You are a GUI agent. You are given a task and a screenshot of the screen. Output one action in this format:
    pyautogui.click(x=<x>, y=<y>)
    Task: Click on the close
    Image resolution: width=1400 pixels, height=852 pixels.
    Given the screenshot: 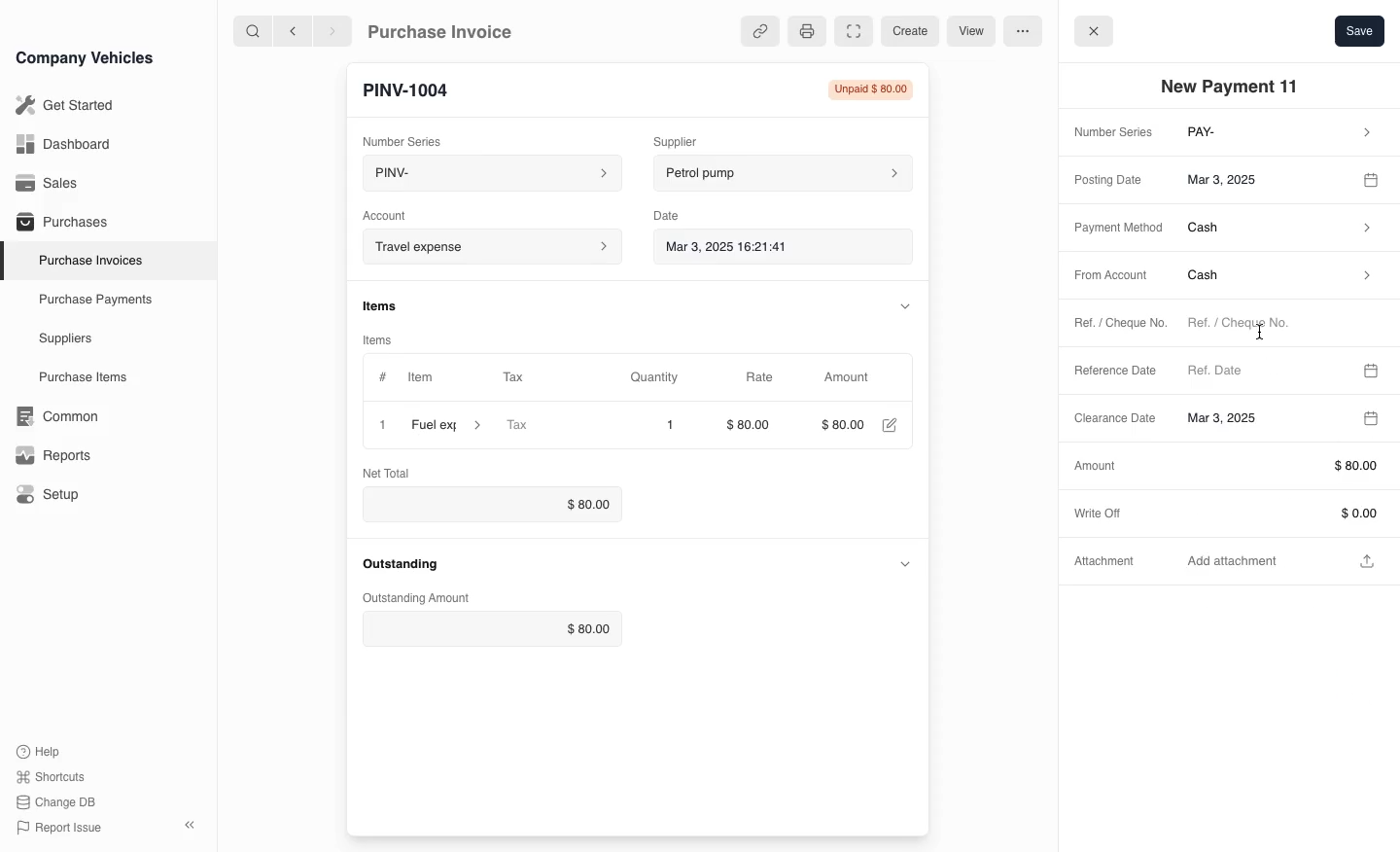 What is the action you would take?
    pyautogui.click(x=378, y=424)
    